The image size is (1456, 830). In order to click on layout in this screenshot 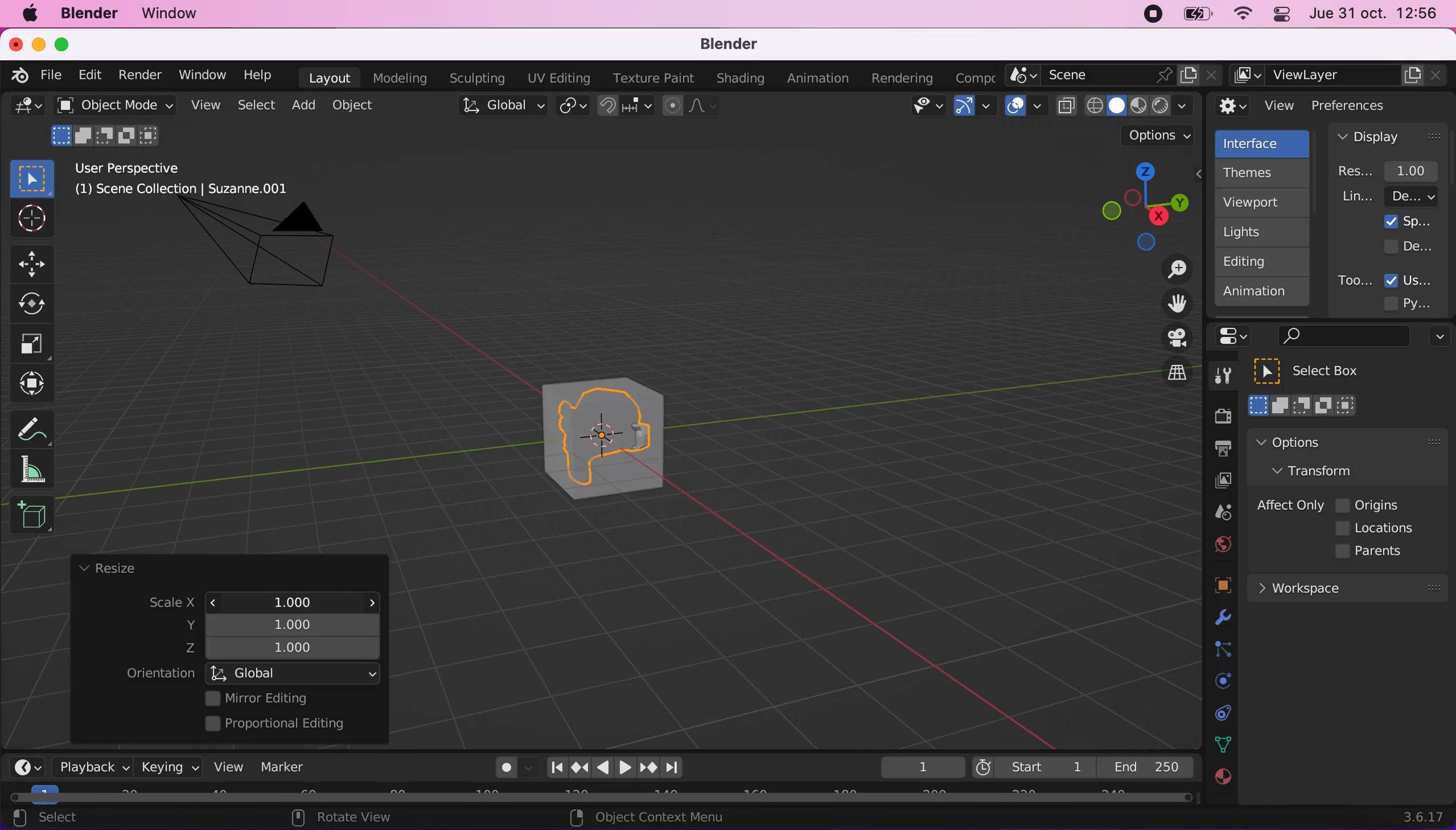, I will do `click(329, 78)`.